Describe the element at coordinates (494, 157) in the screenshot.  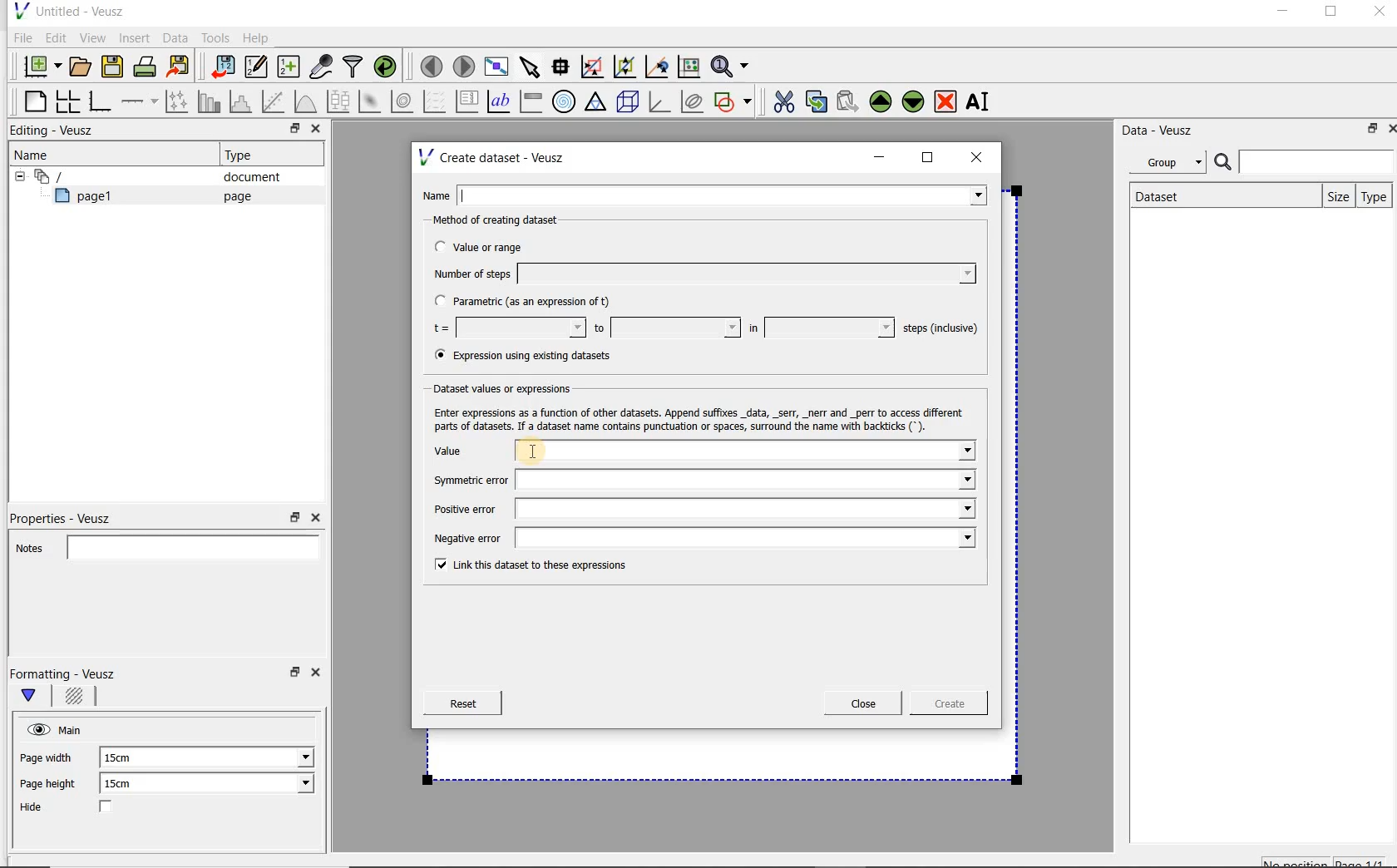
I see `Create dataset - Veusz` at that location.